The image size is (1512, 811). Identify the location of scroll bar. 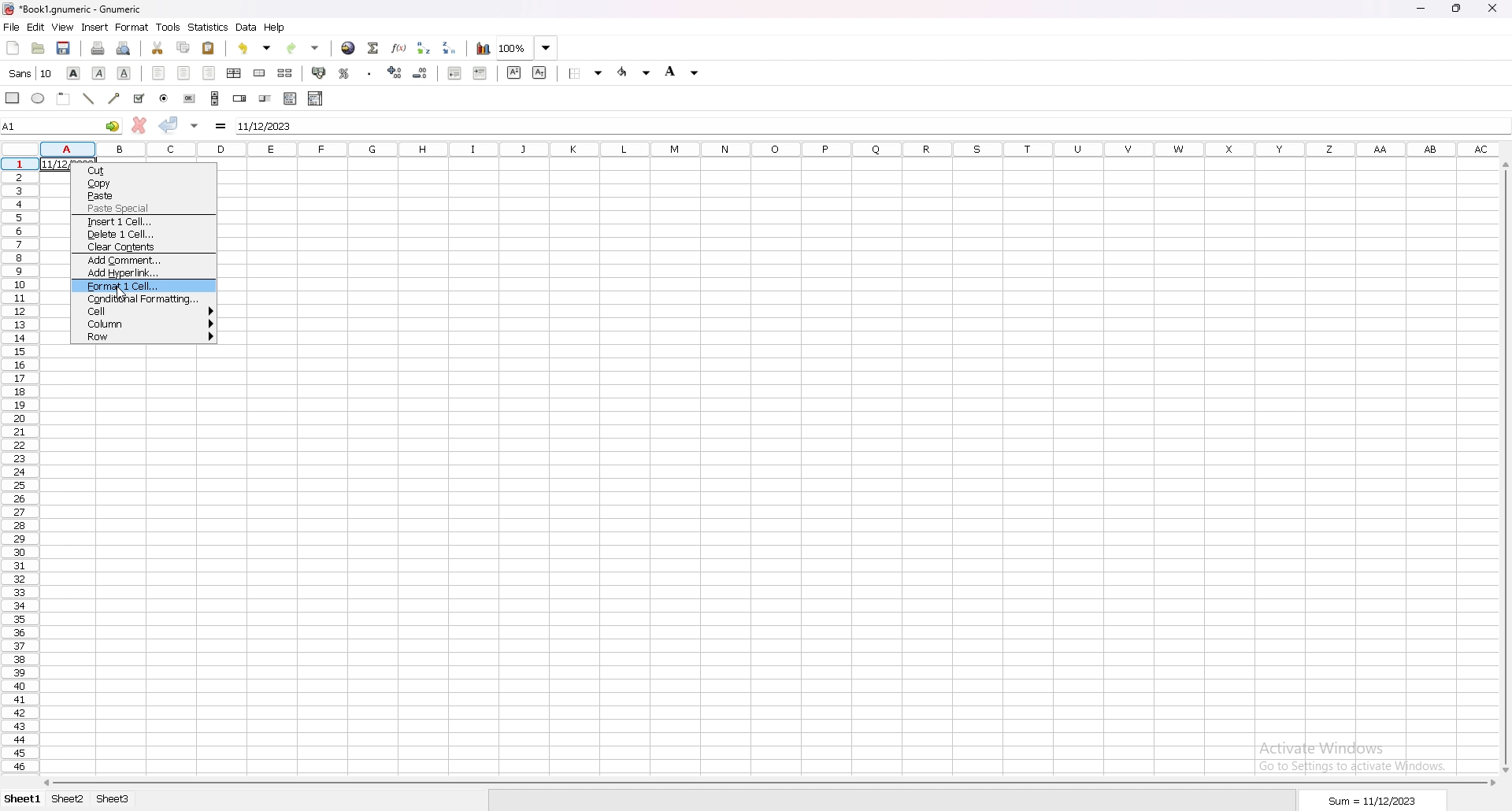
(215, 98).